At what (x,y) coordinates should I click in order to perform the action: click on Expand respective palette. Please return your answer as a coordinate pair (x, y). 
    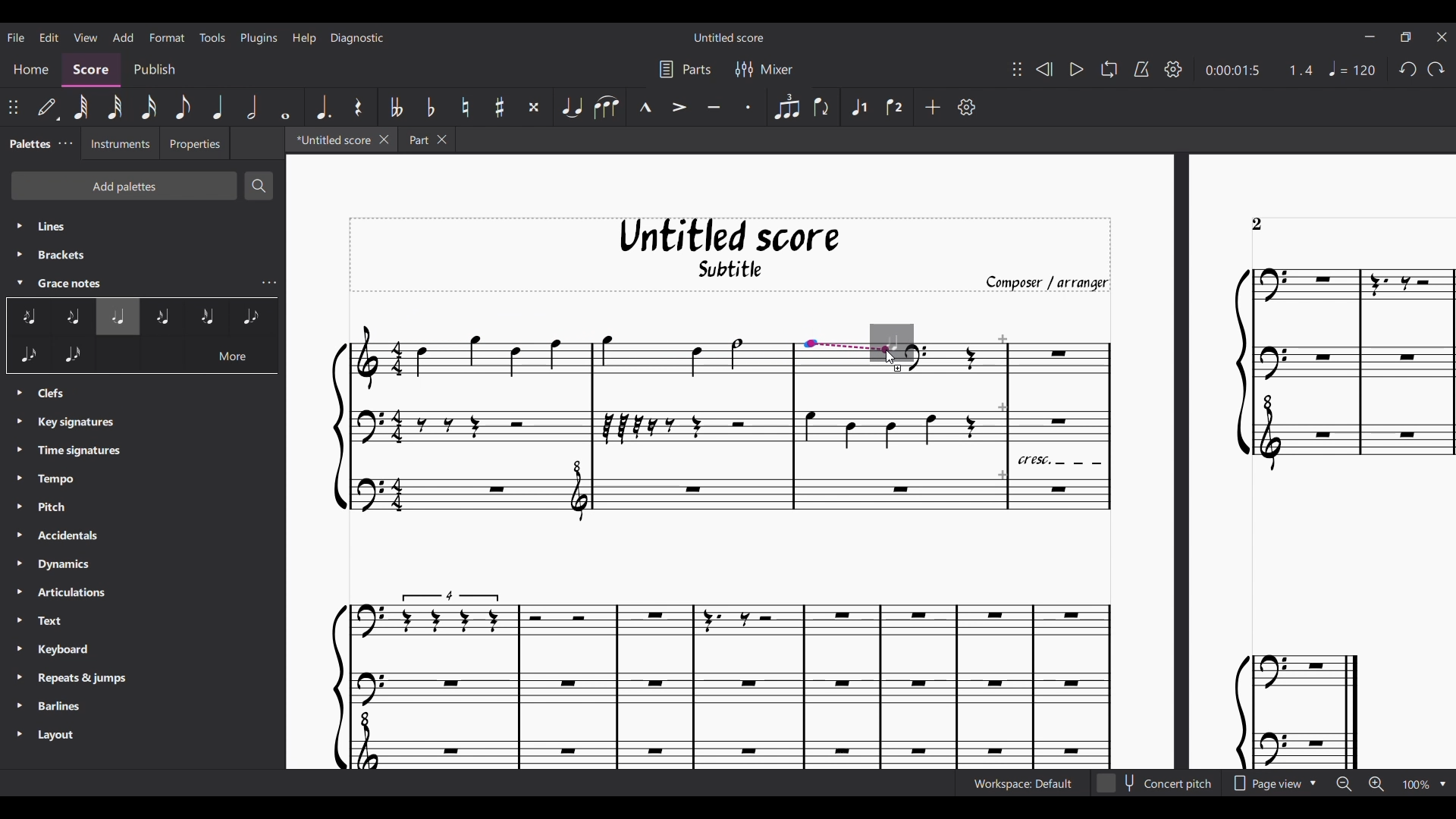
    Looking at the image, I should click on (19, 566).